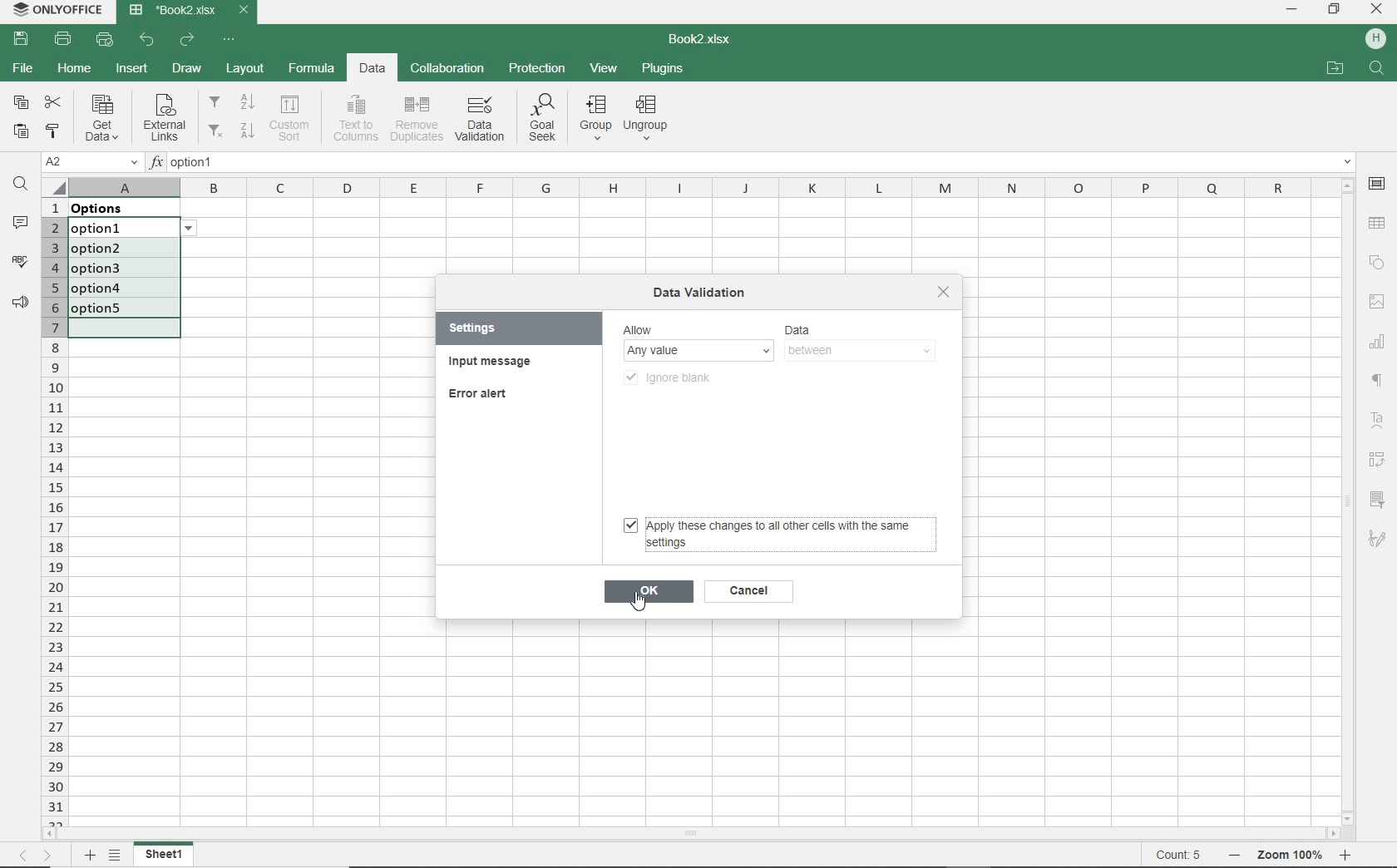 The width and height of the screenshot is (1397, 868). What do you see at coordinates (233, 102) in the screenshot?
I see `filter from A to Z` at bounding box center [233, 102].